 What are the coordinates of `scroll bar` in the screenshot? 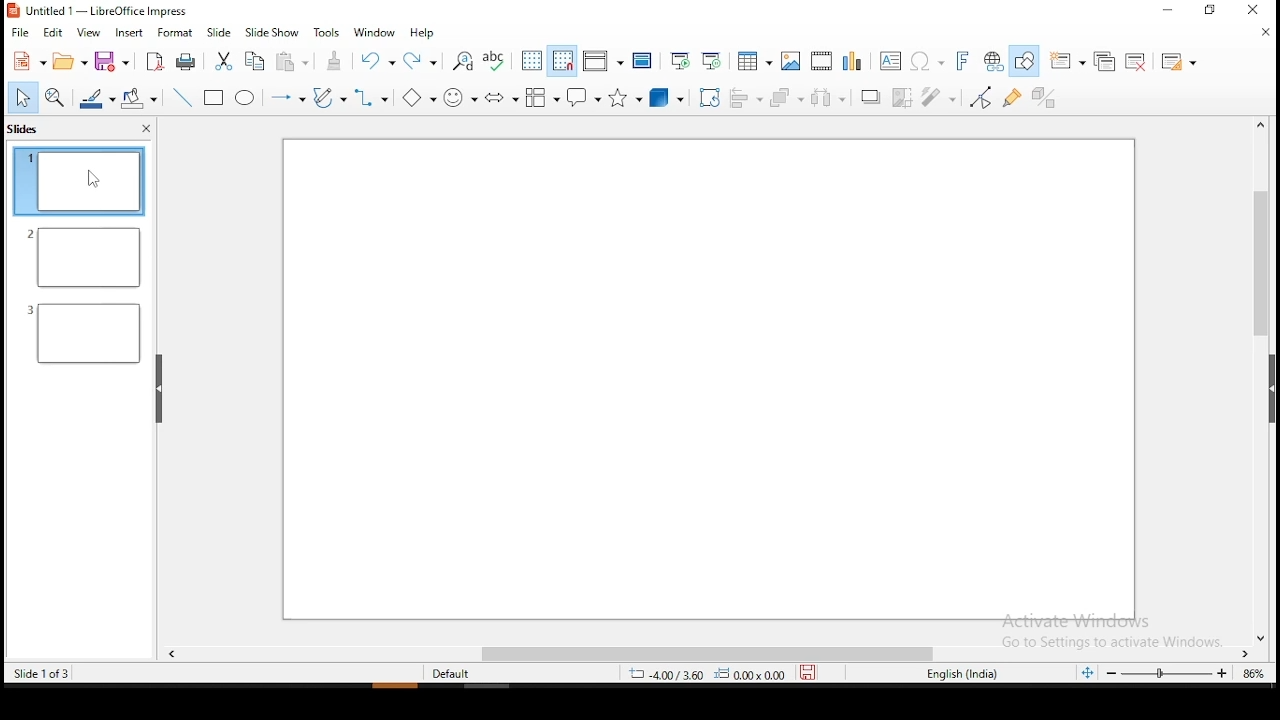 It's located at (1269, 384).